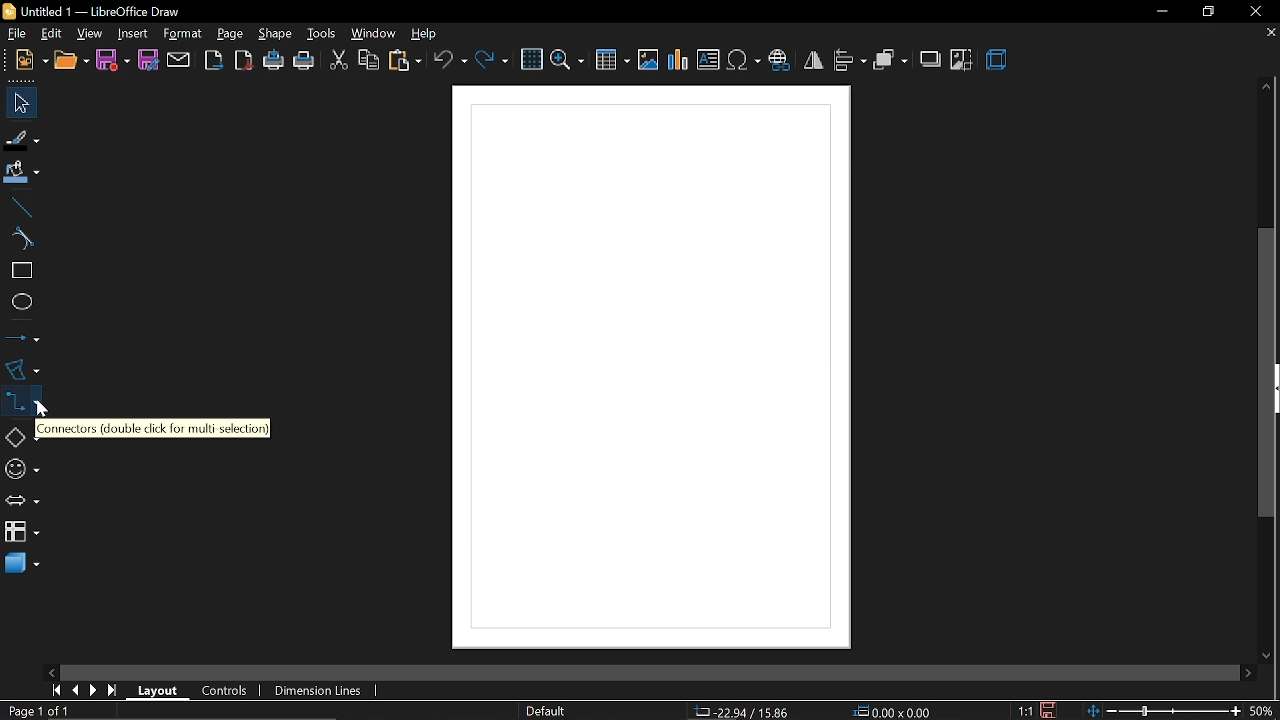 This screenshot has width=1280, height=720. Describe the element at coordinates (272, 33) in the screenshot. I see `shape` at that location.